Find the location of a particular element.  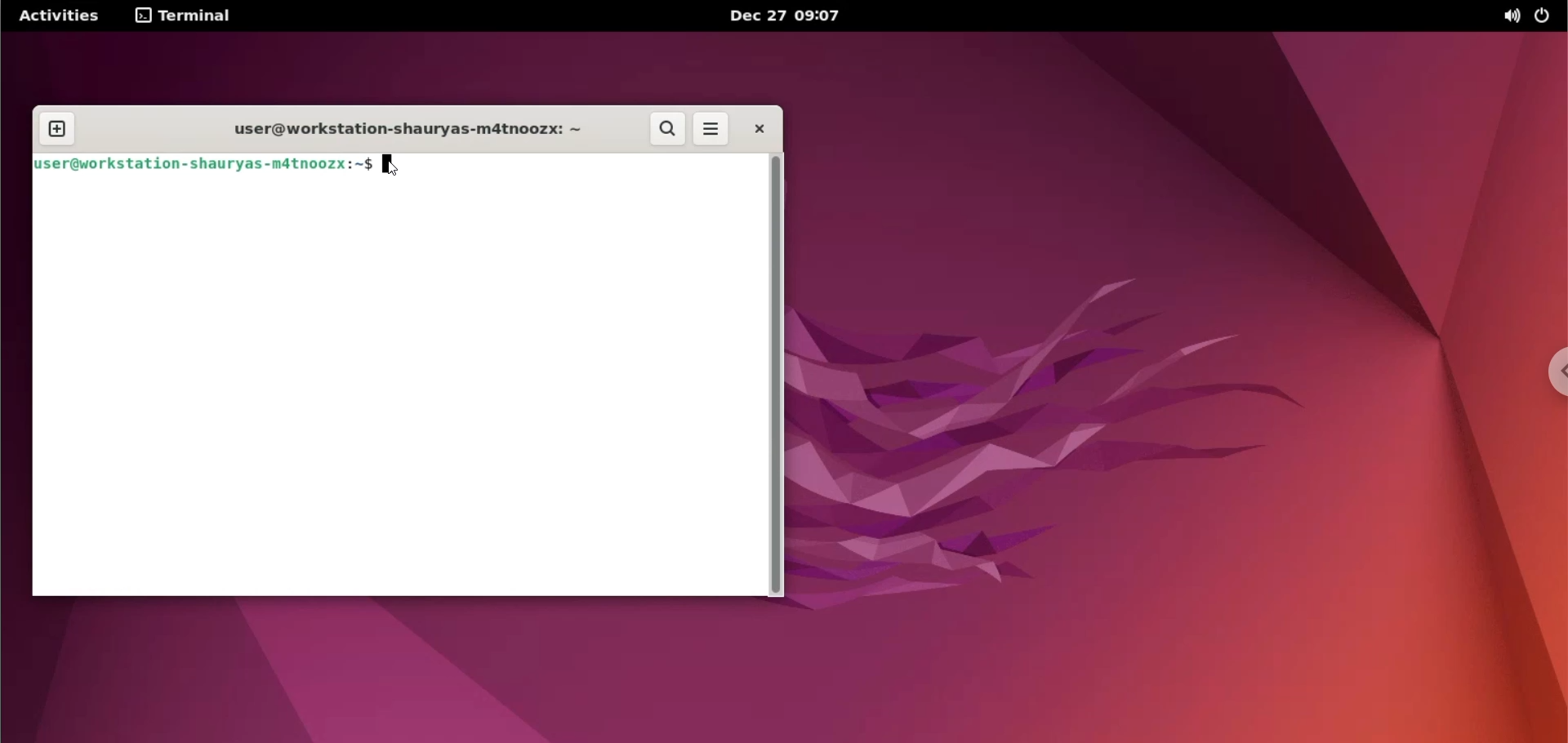

power options is located at coordinates (1546, 15).